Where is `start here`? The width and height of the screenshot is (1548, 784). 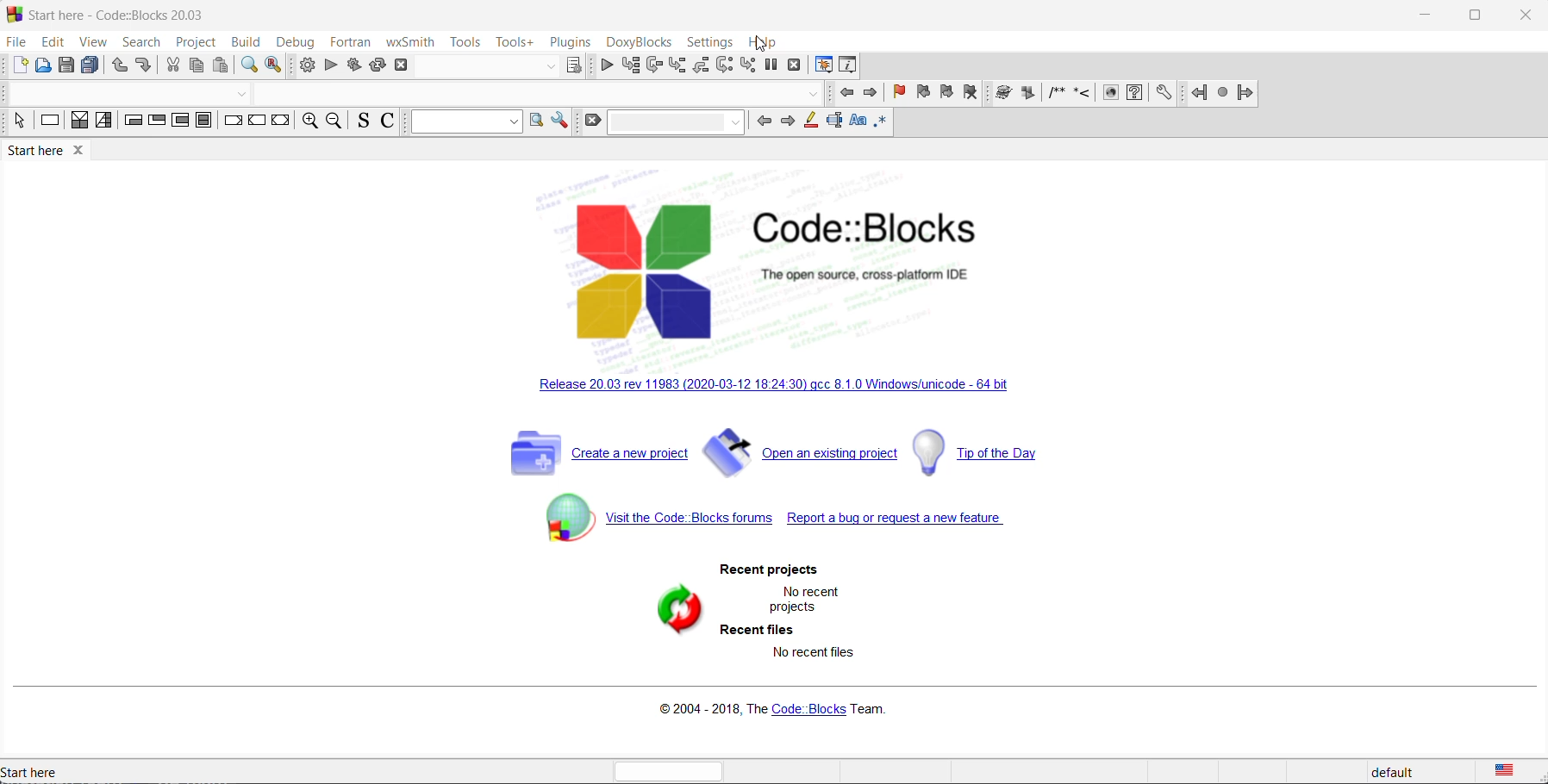 start here is located at coordinates (41, 769).